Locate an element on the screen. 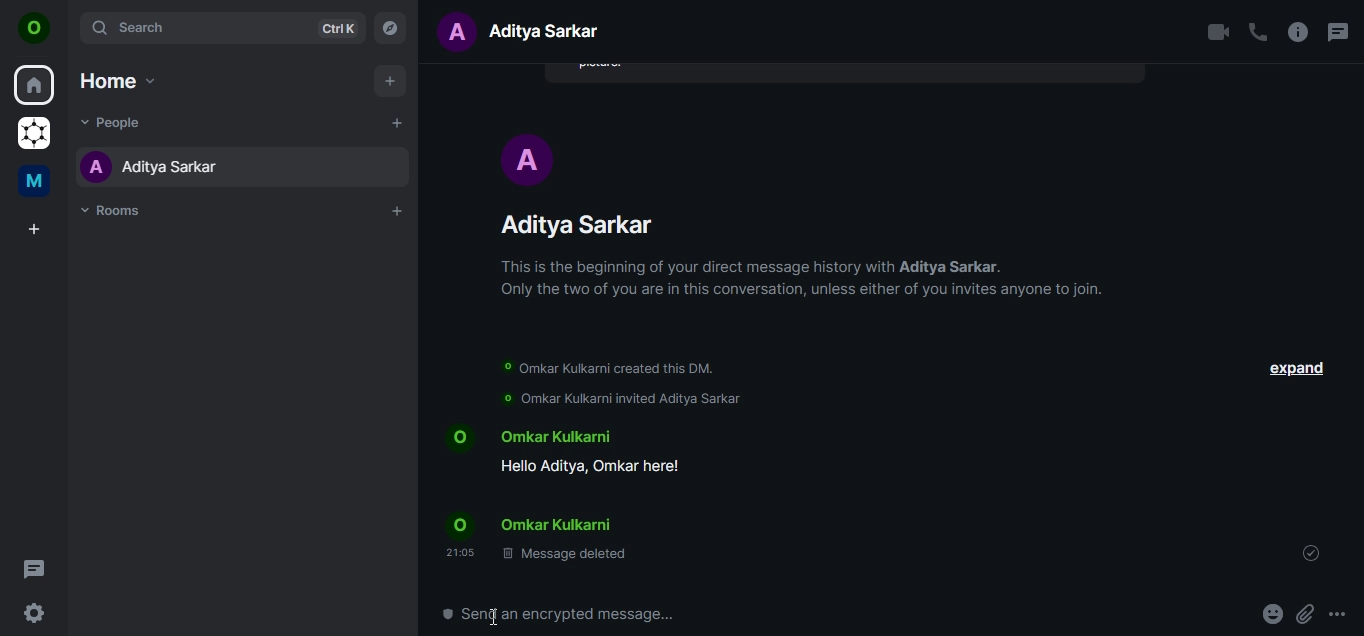 The width and height of the screenshot is (1364, 636). text is located at coordinates (531, 30).